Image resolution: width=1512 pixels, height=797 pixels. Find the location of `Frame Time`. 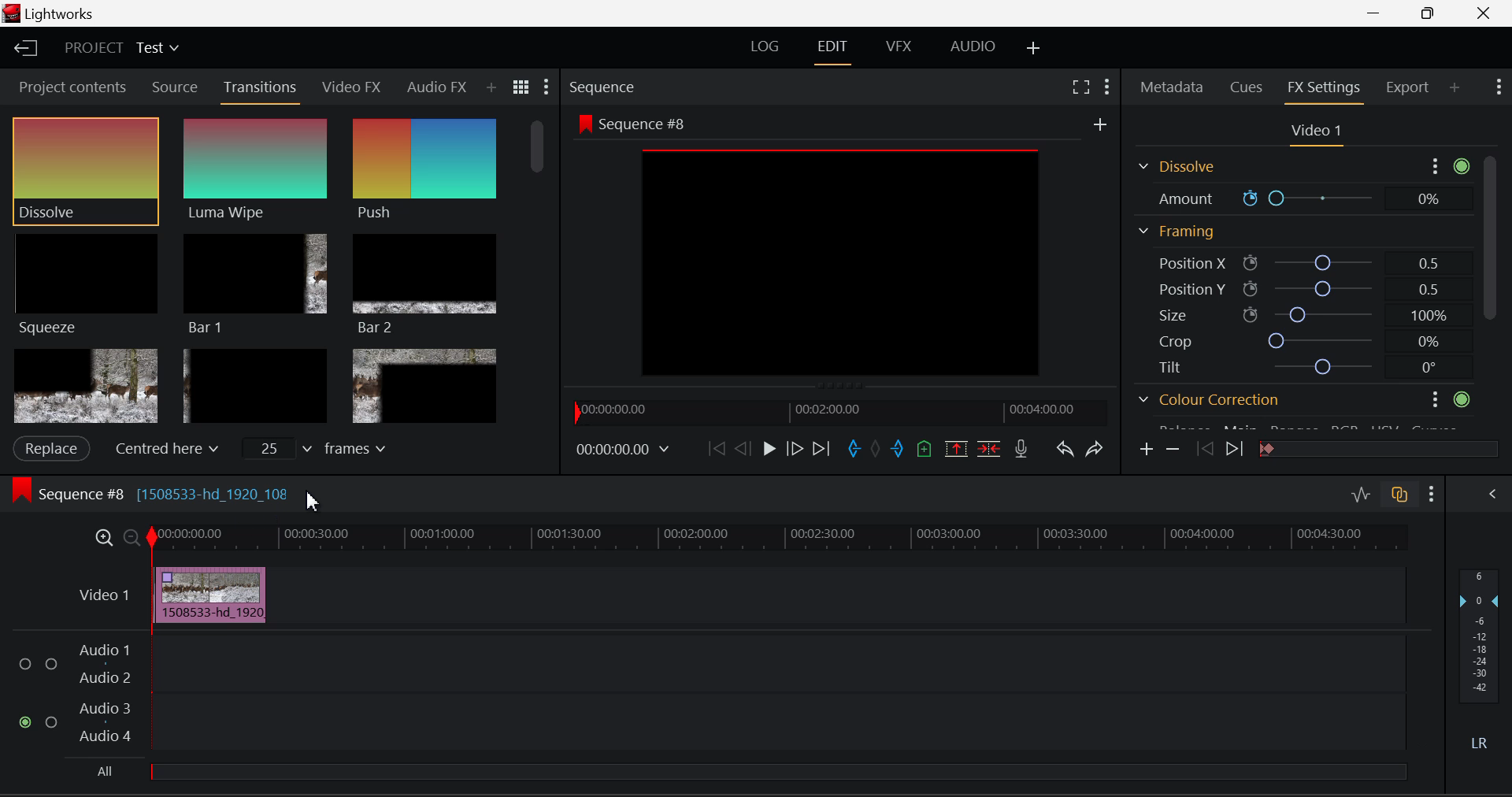

Frame Time is located at coordinates (623, 451).